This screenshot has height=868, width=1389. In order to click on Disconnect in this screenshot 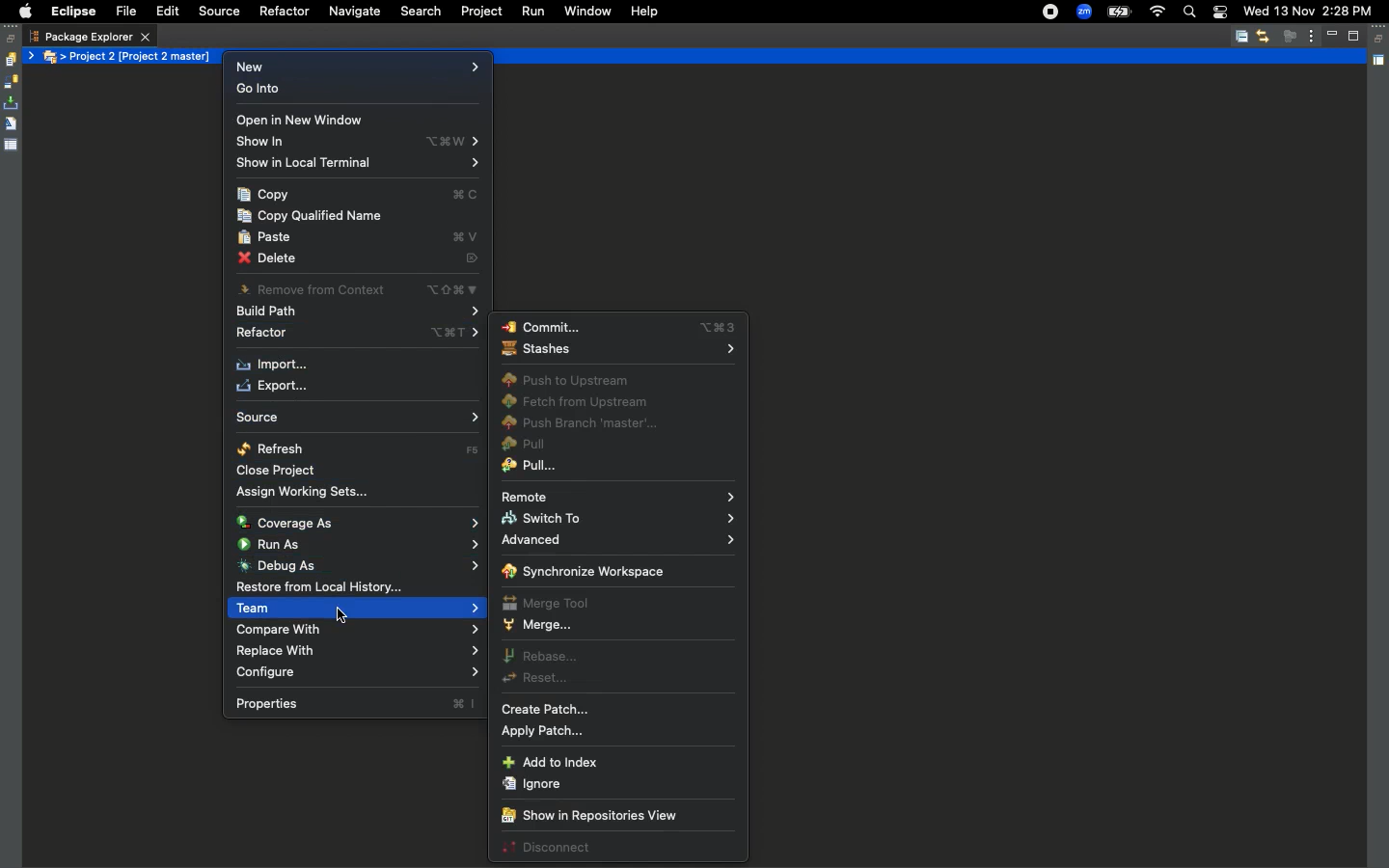, I will do `click(546, 850)`.